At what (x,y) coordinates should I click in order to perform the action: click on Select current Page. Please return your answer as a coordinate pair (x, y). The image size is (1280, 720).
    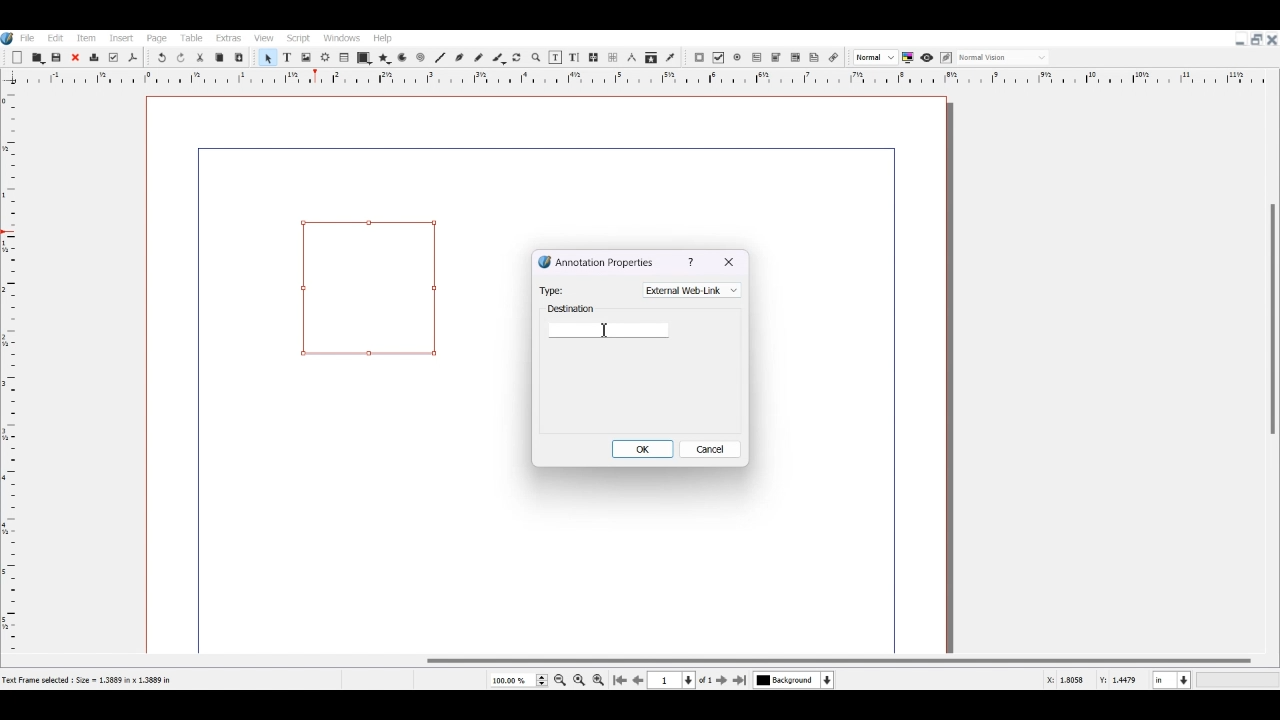
    Looking at the image, I should click on (684, 680).